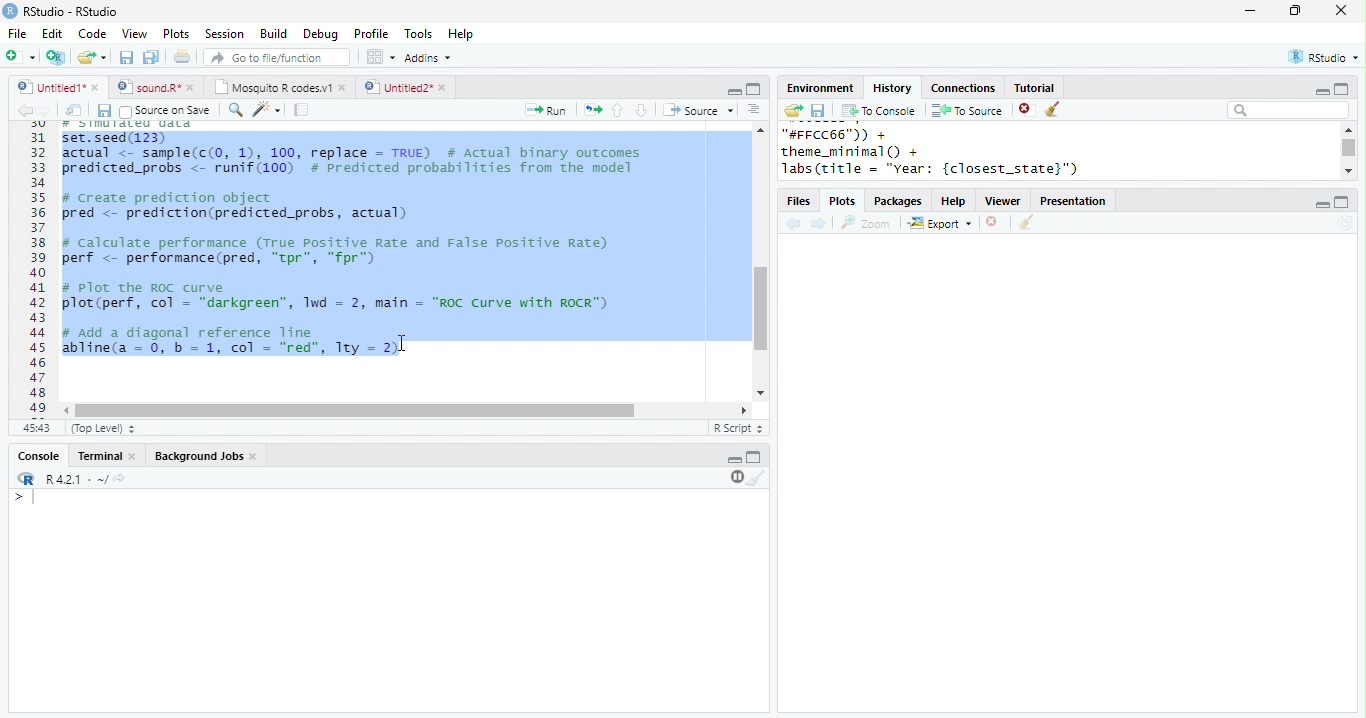 The image size is (1366, 718). I want to click on minimize, so click(734, 90).